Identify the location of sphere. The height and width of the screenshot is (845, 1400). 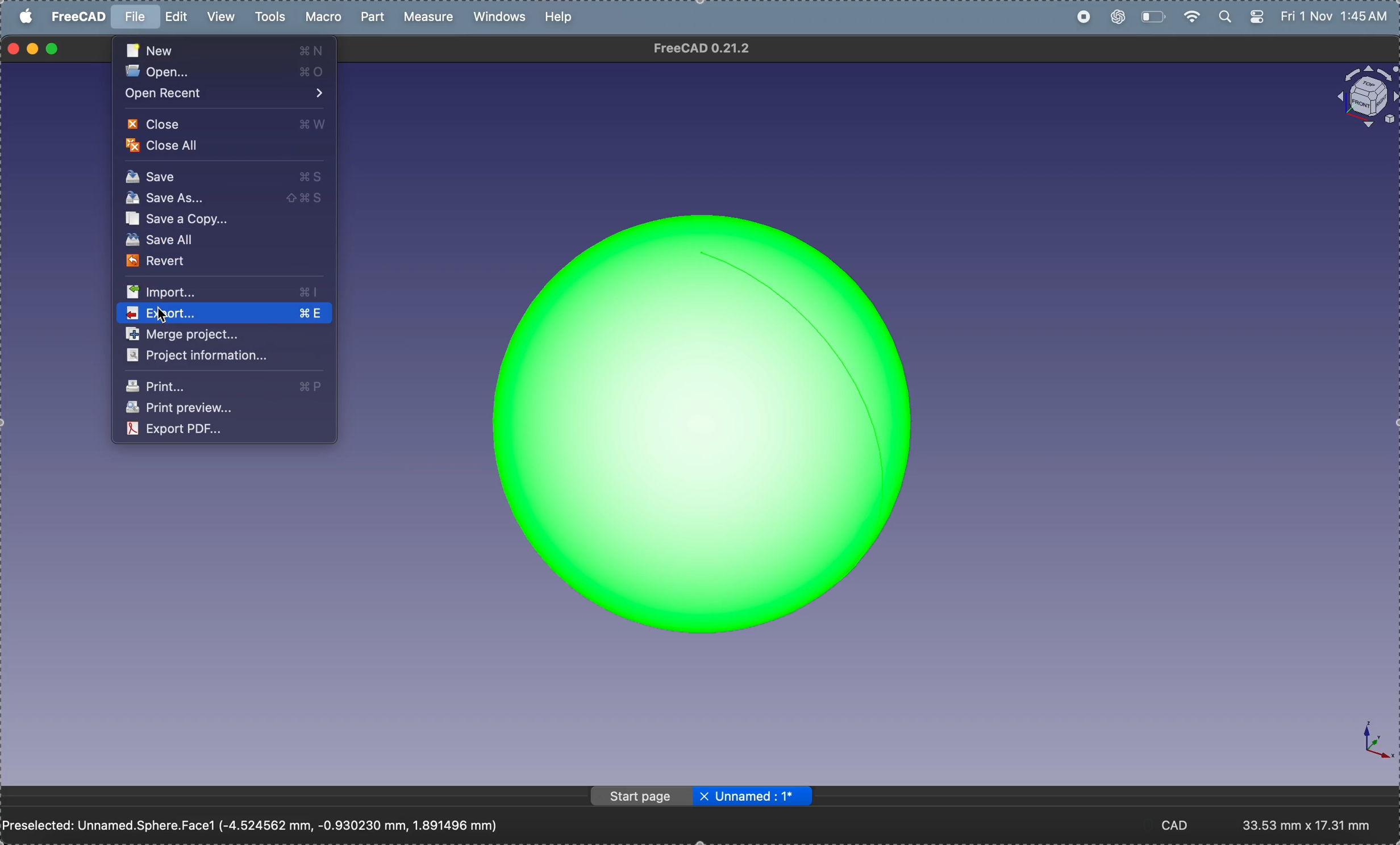
(698, 407).